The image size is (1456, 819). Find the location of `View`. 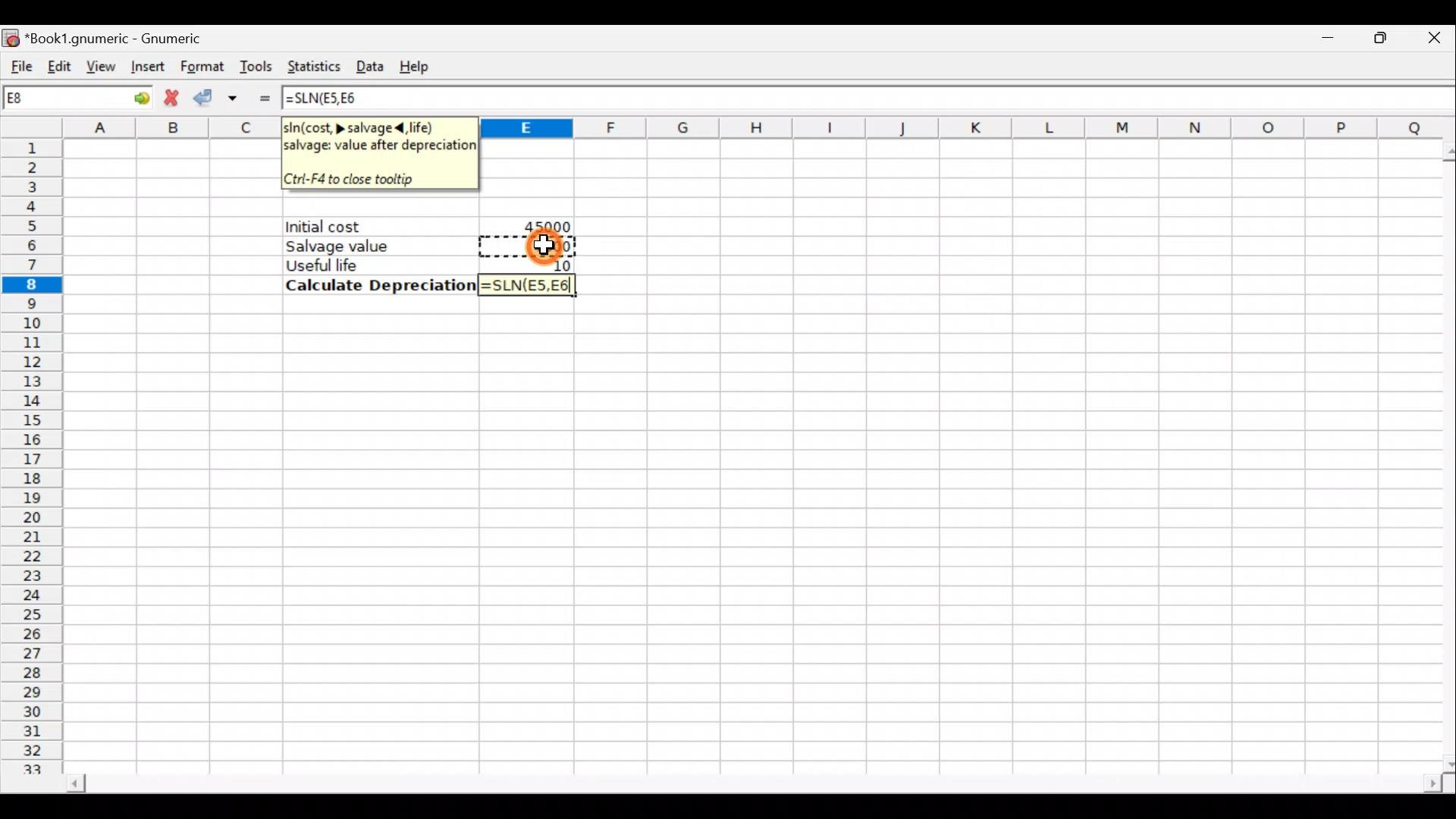

View is located at coordinates (100, 64).